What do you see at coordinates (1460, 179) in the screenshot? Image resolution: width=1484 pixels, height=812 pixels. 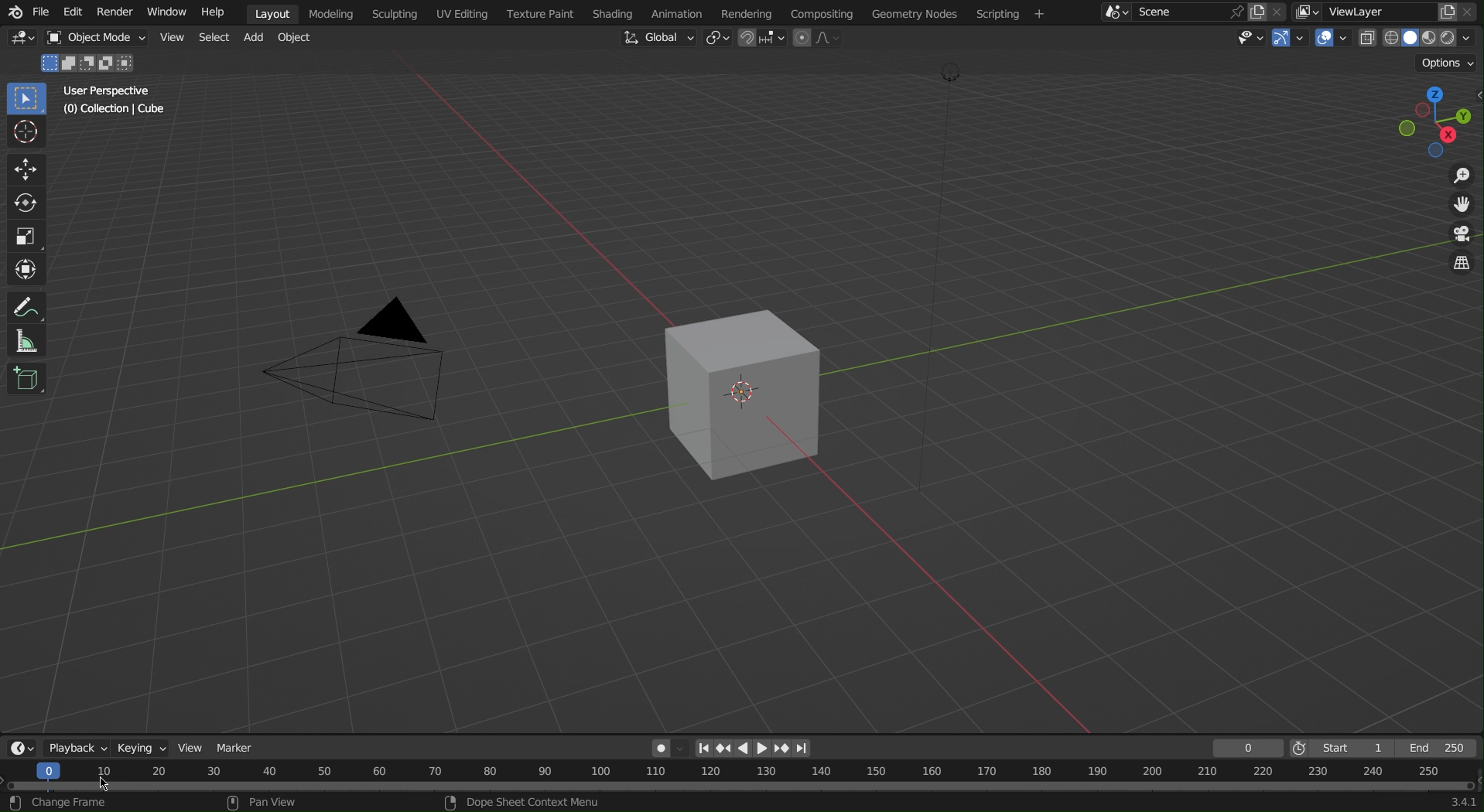 I see `Zoom` at bounding box center [1460, 179].